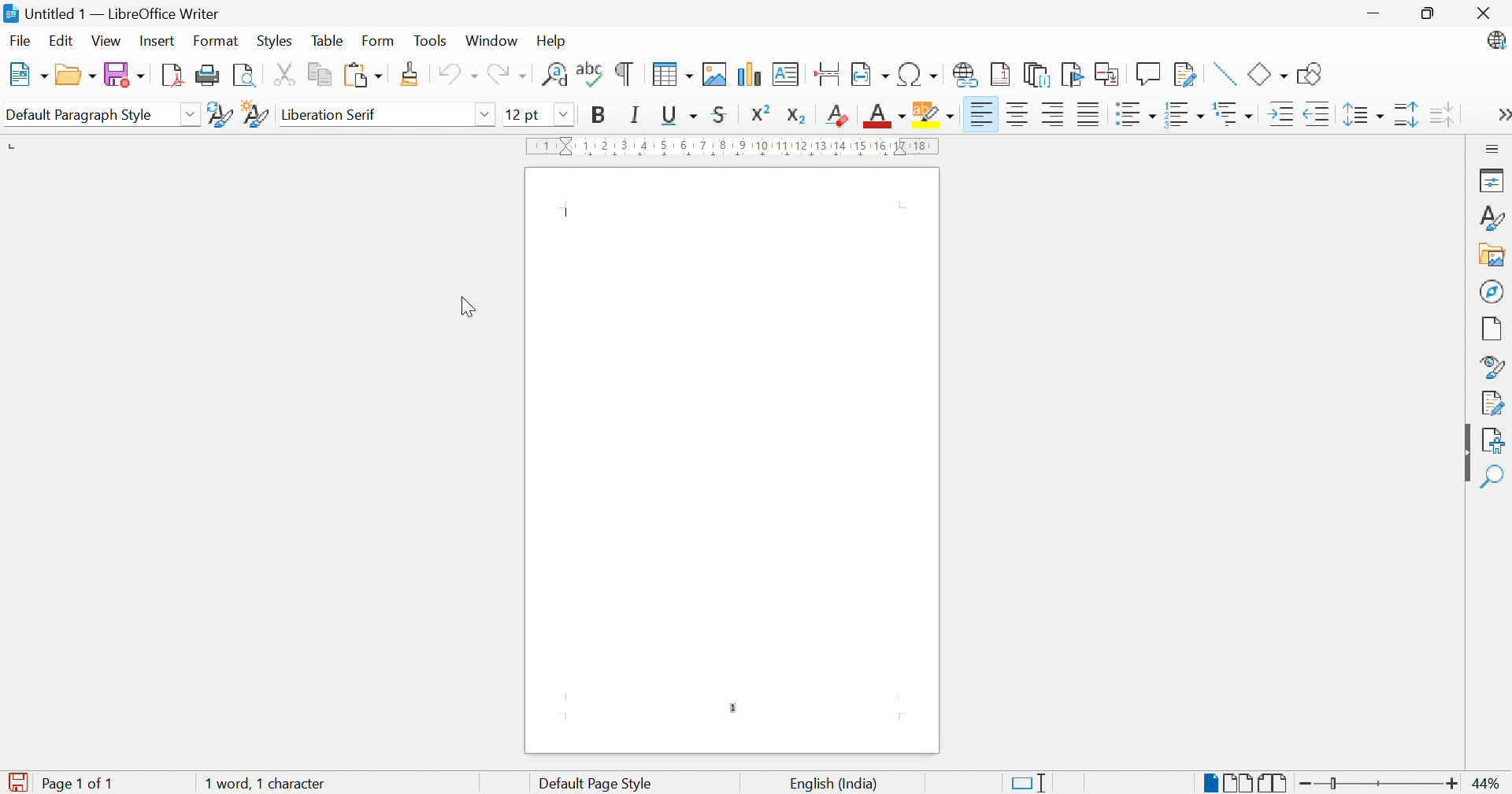 The image size is (1512, 794). I want to click on Underline, so click(678, 114).